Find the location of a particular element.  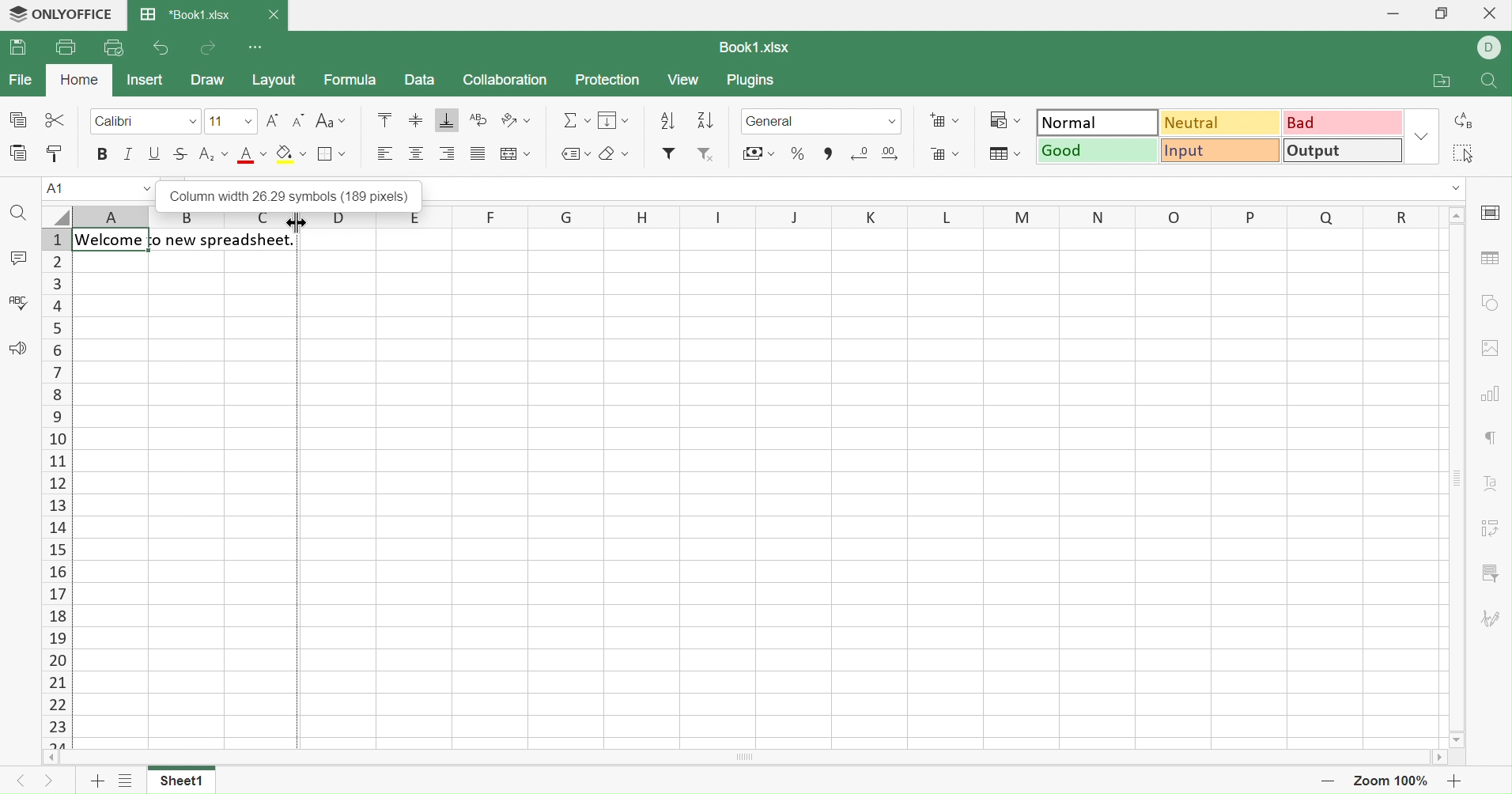

Paste is located at coordinates (16, 153).